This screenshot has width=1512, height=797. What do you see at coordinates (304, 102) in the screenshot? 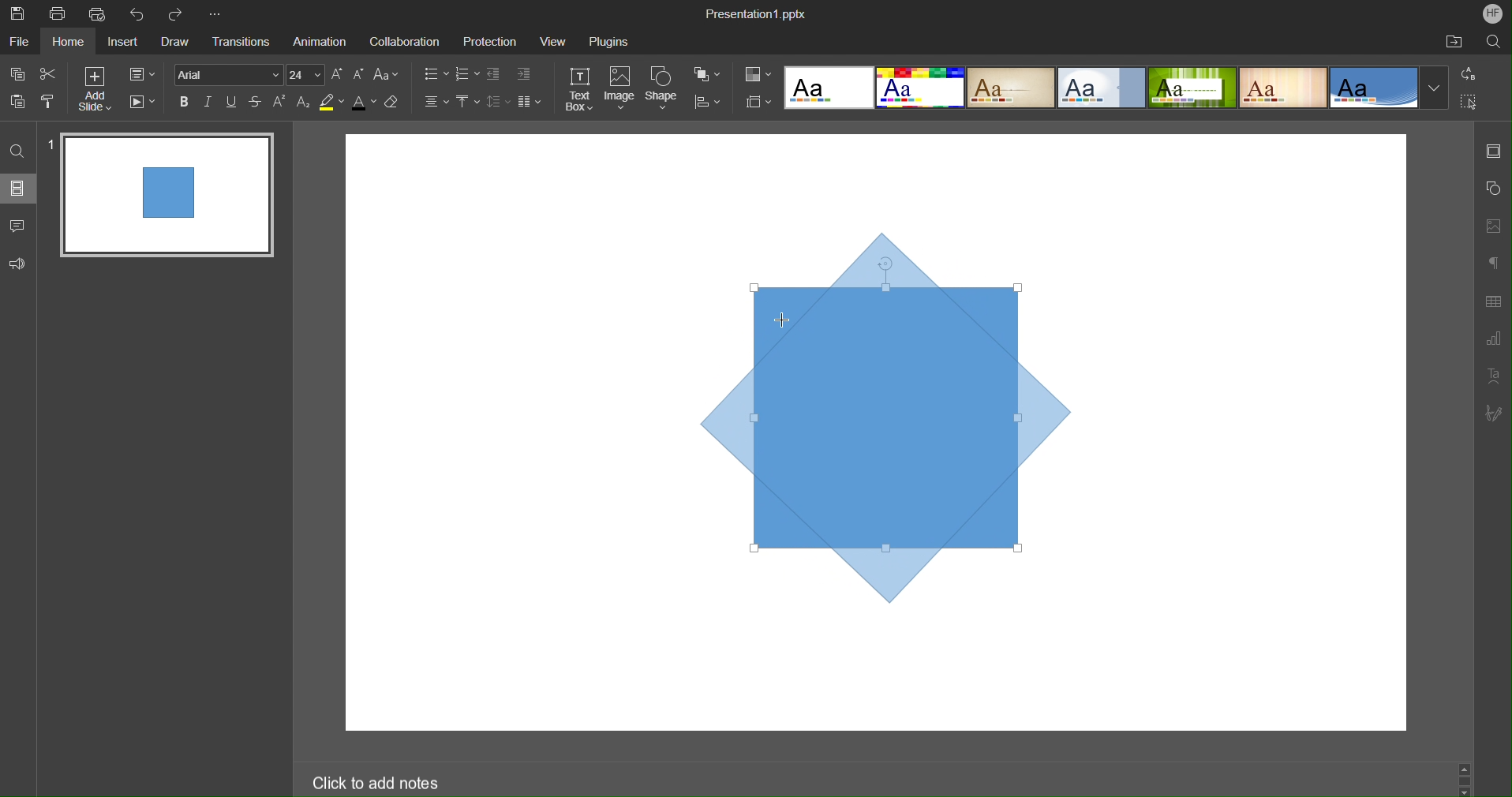
I see `Subscript` at bounding box center [304, 102].